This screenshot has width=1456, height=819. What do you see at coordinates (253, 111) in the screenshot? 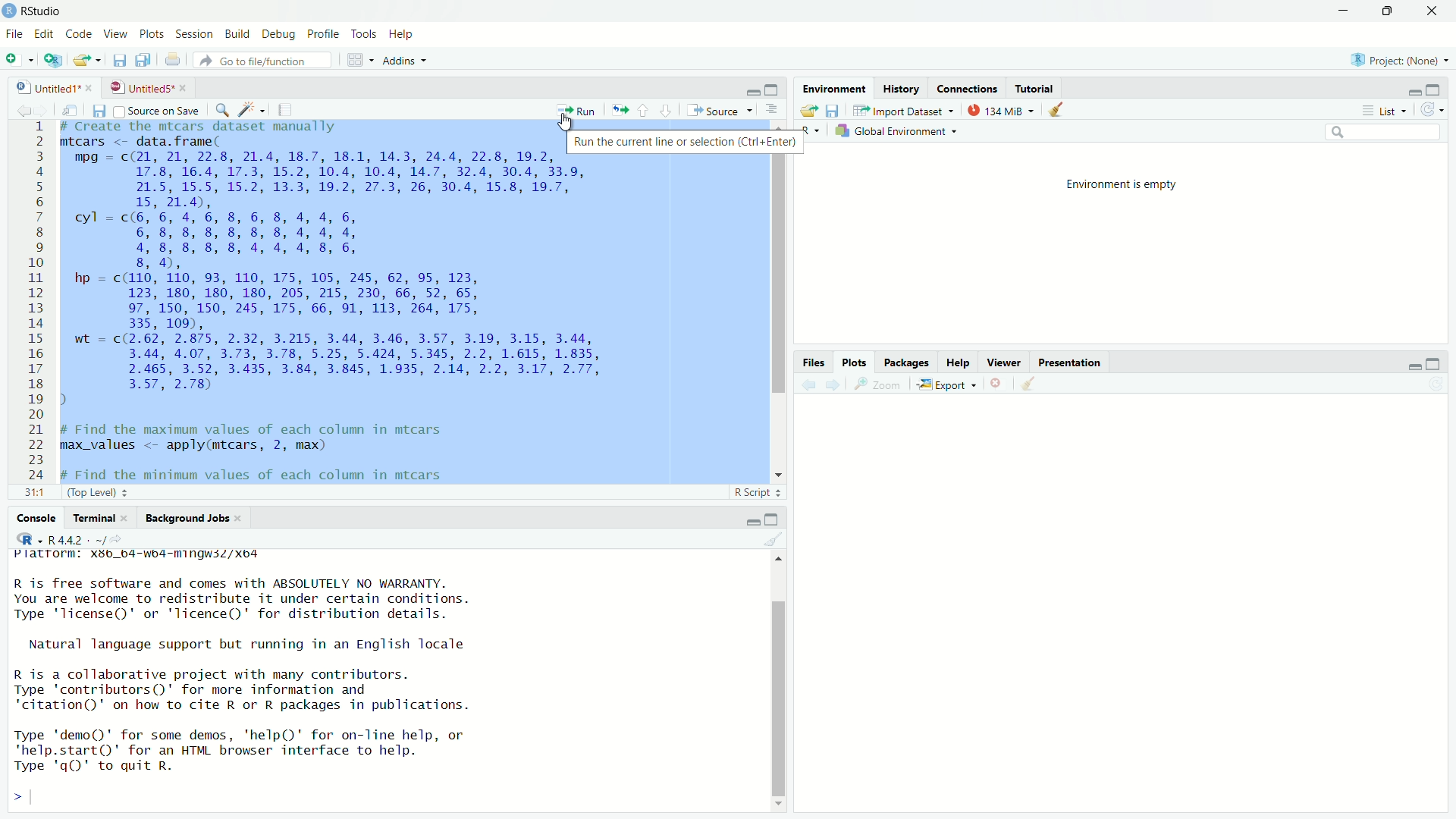
I see `spark` at bounding box center [253, 111].